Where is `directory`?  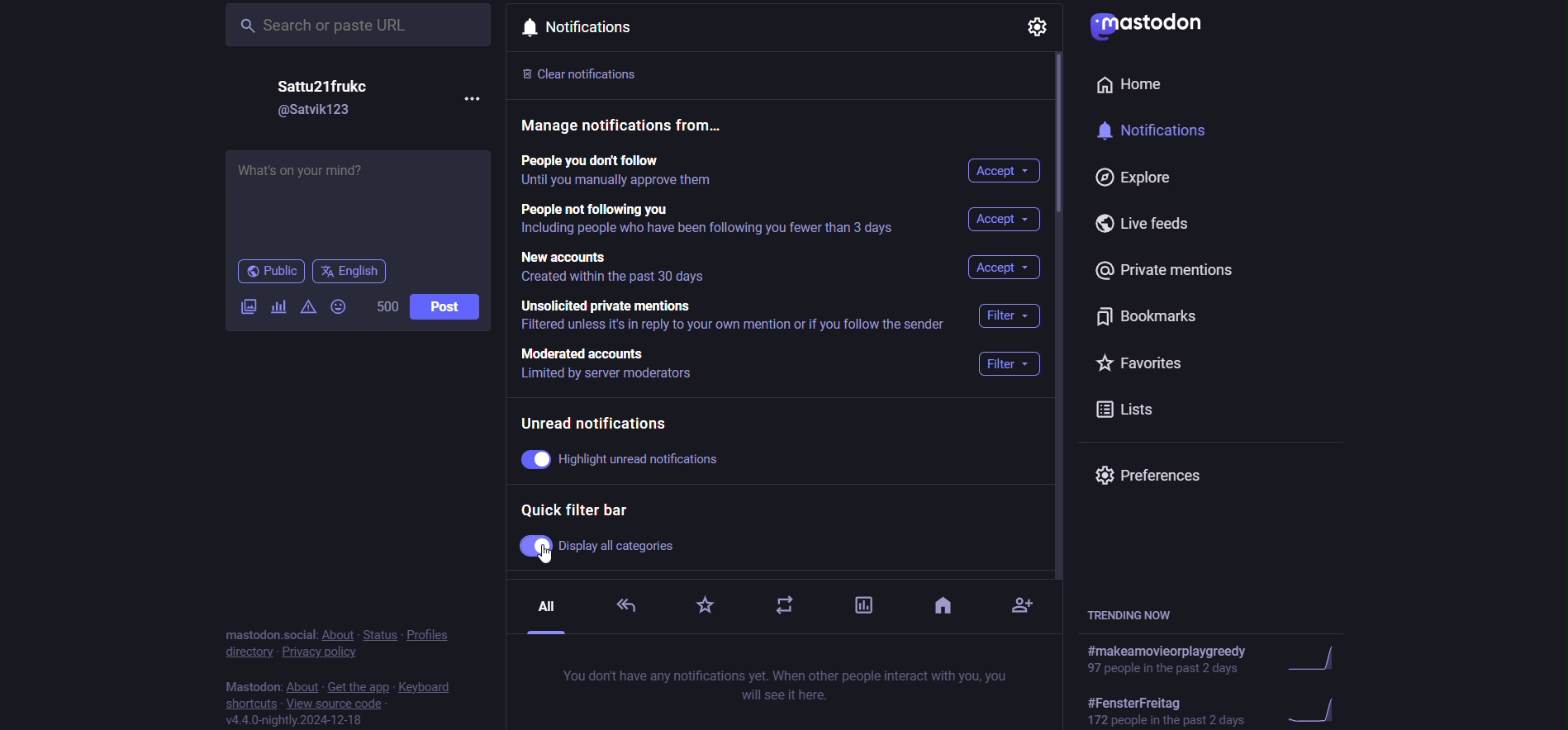 directory is located at coordinates (249, 656).